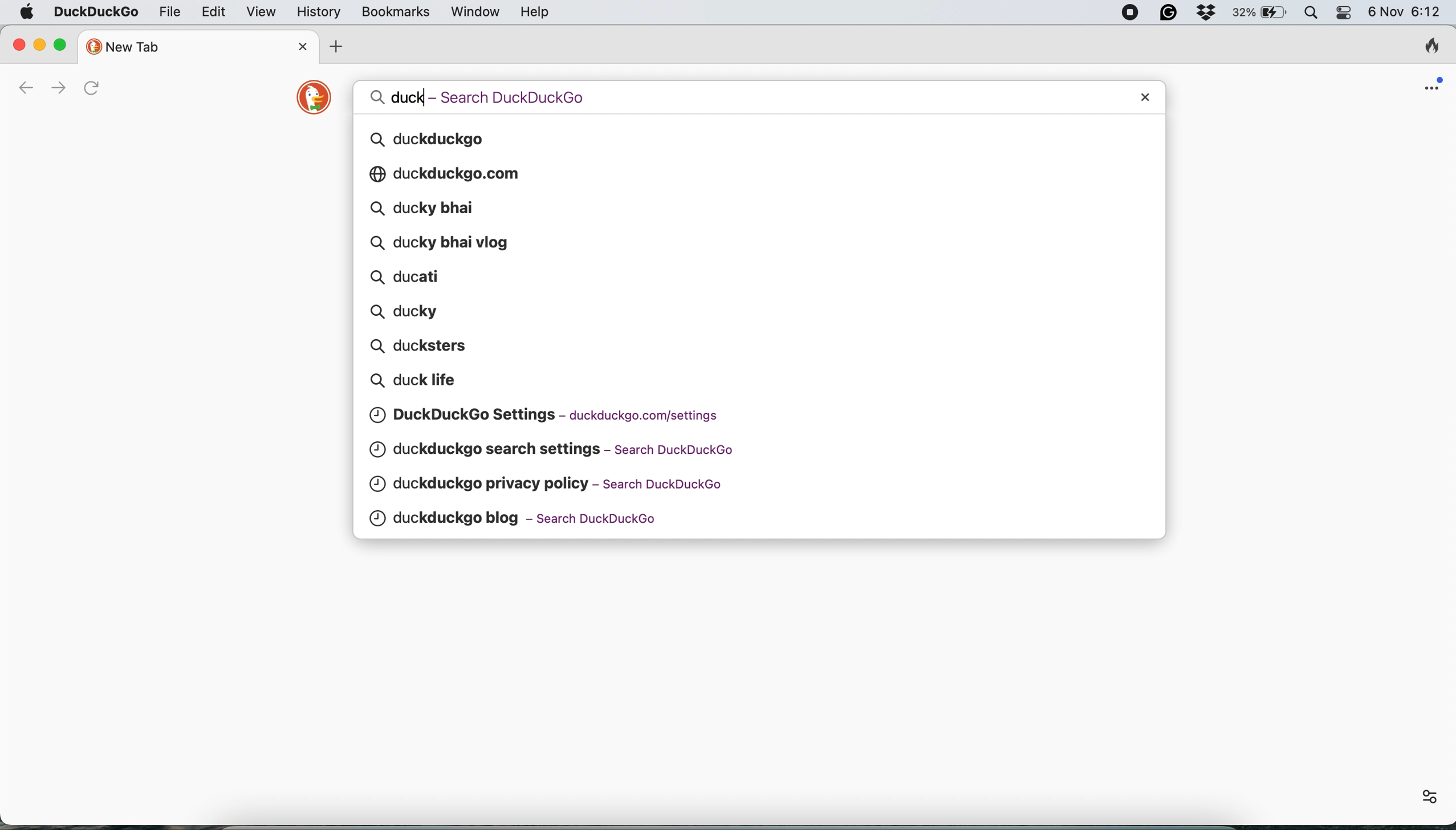 This screenshot has width=1456, height=830. What do you see at coordinates (495, 96) in the screenshot?
I see `duck — Search DuckDuckGo` at bounding box center [495, 96].